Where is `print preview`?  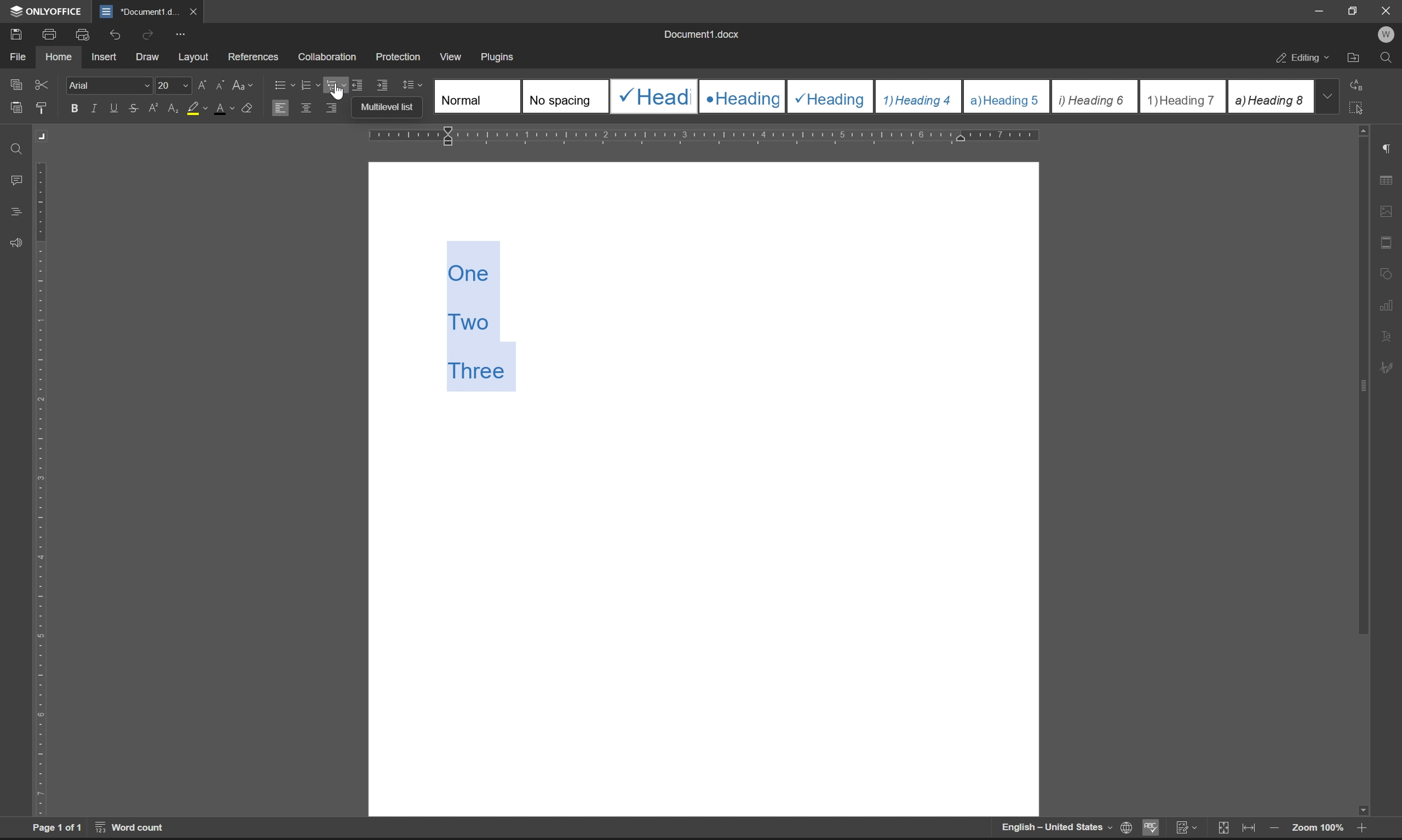
print preview is located at coordinates (84, 35).